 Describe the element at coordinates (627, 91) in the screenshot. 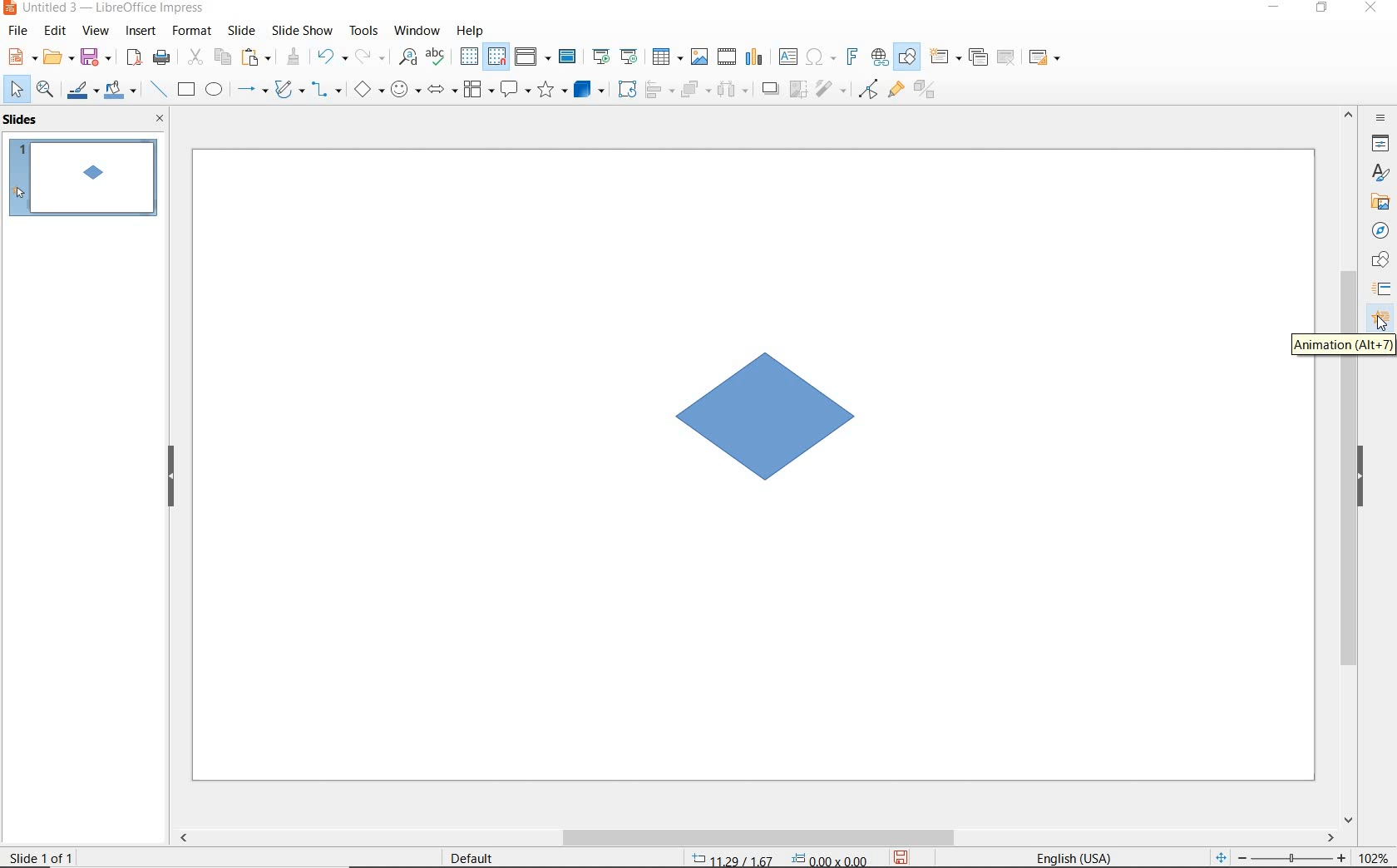

I see `rotate` at that location.